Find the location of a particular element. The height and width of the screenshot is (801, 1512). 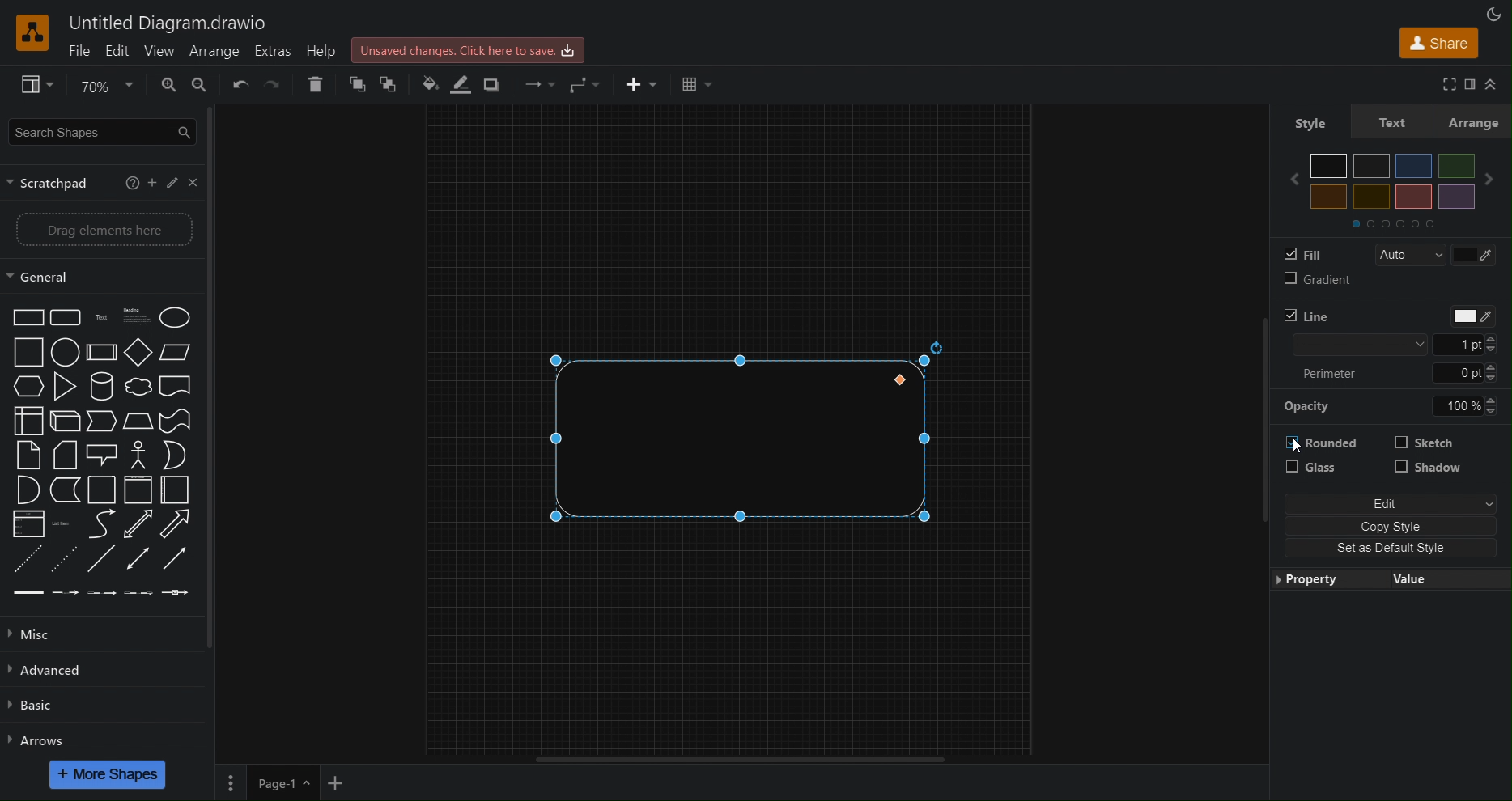

Untitled Diagram.drawio is located at coordinates (170, 23).